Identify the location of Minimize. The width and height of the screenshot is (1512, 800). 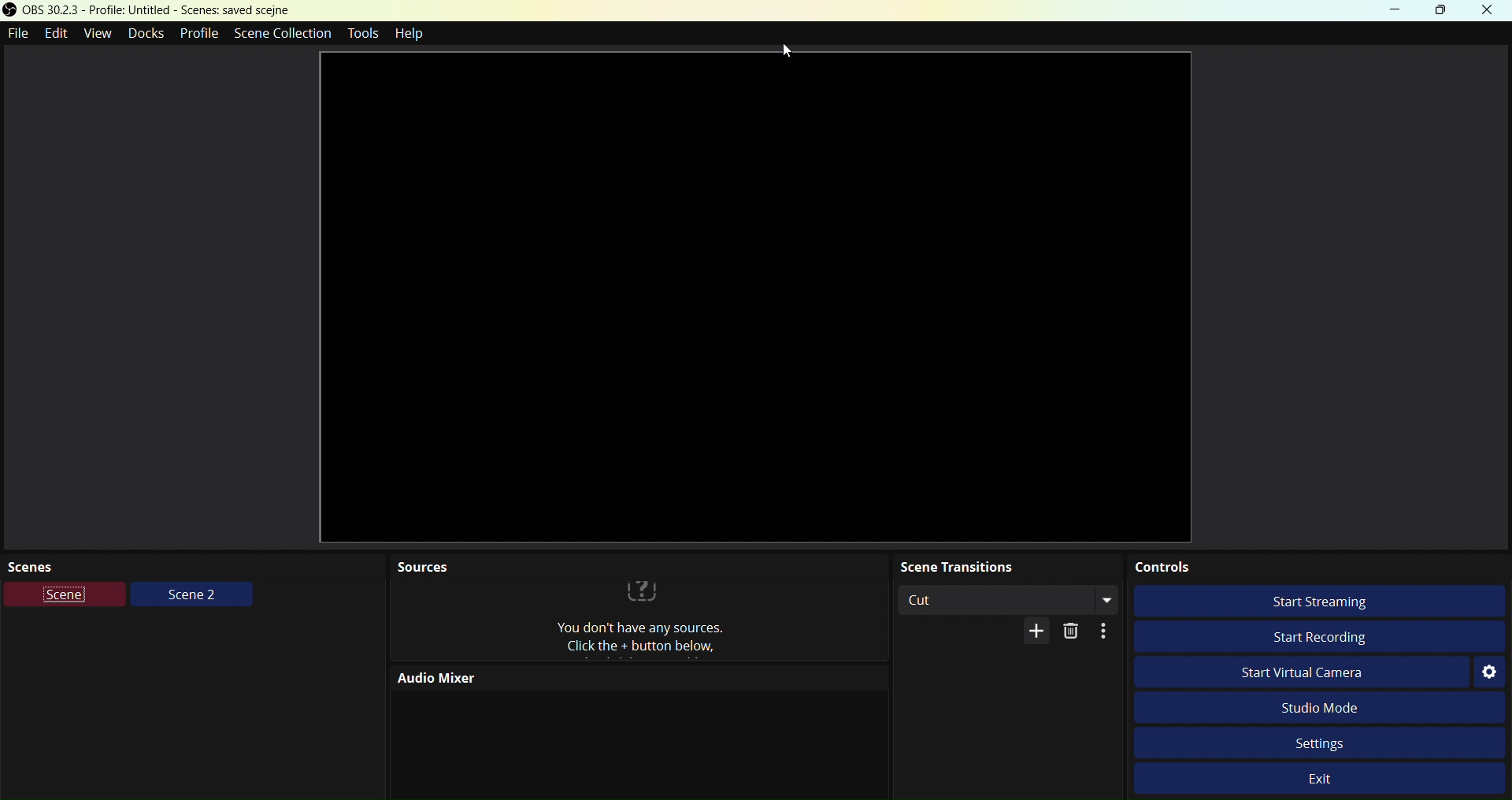
(1396, 12).